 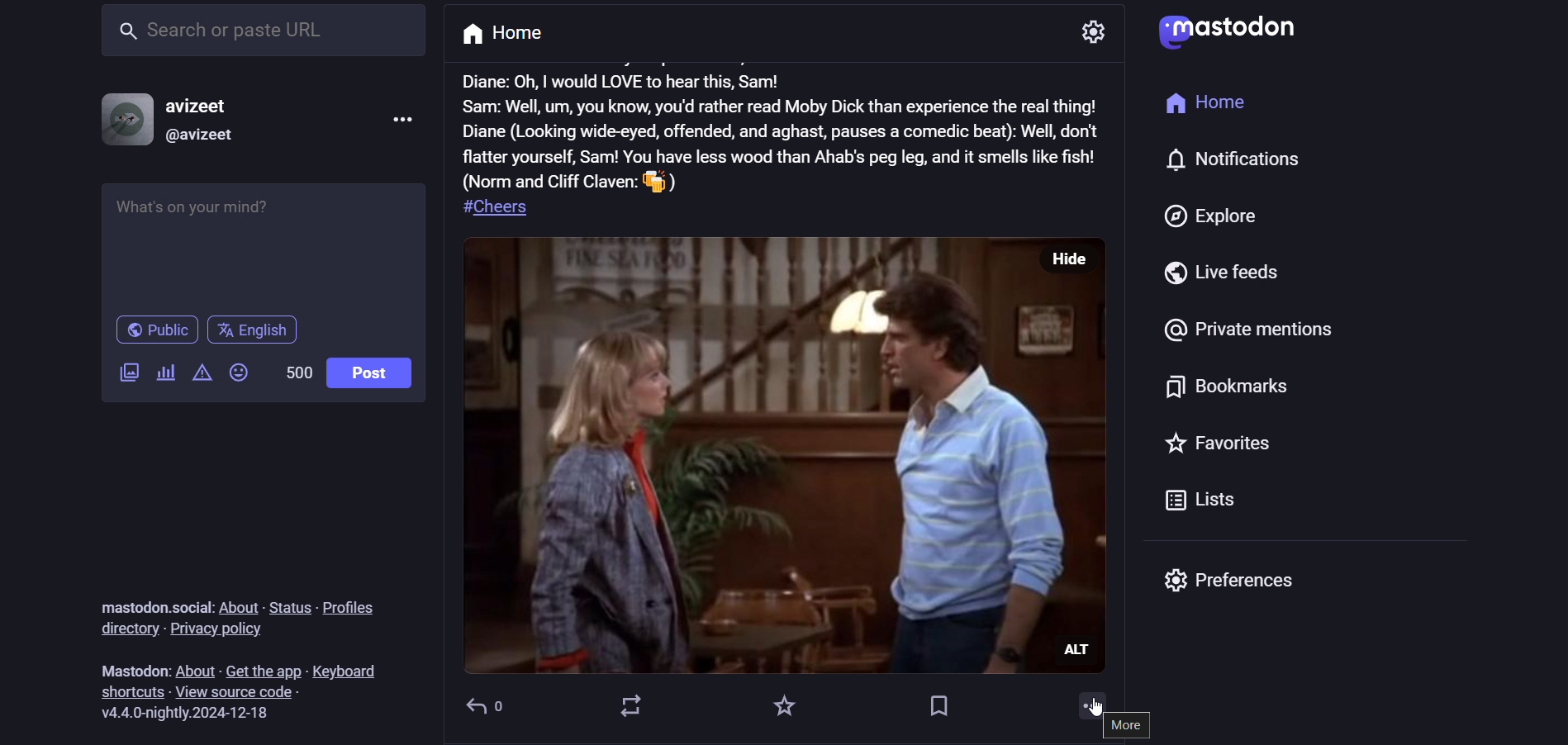 I want to click on profiles, so click(x=354, y=607).